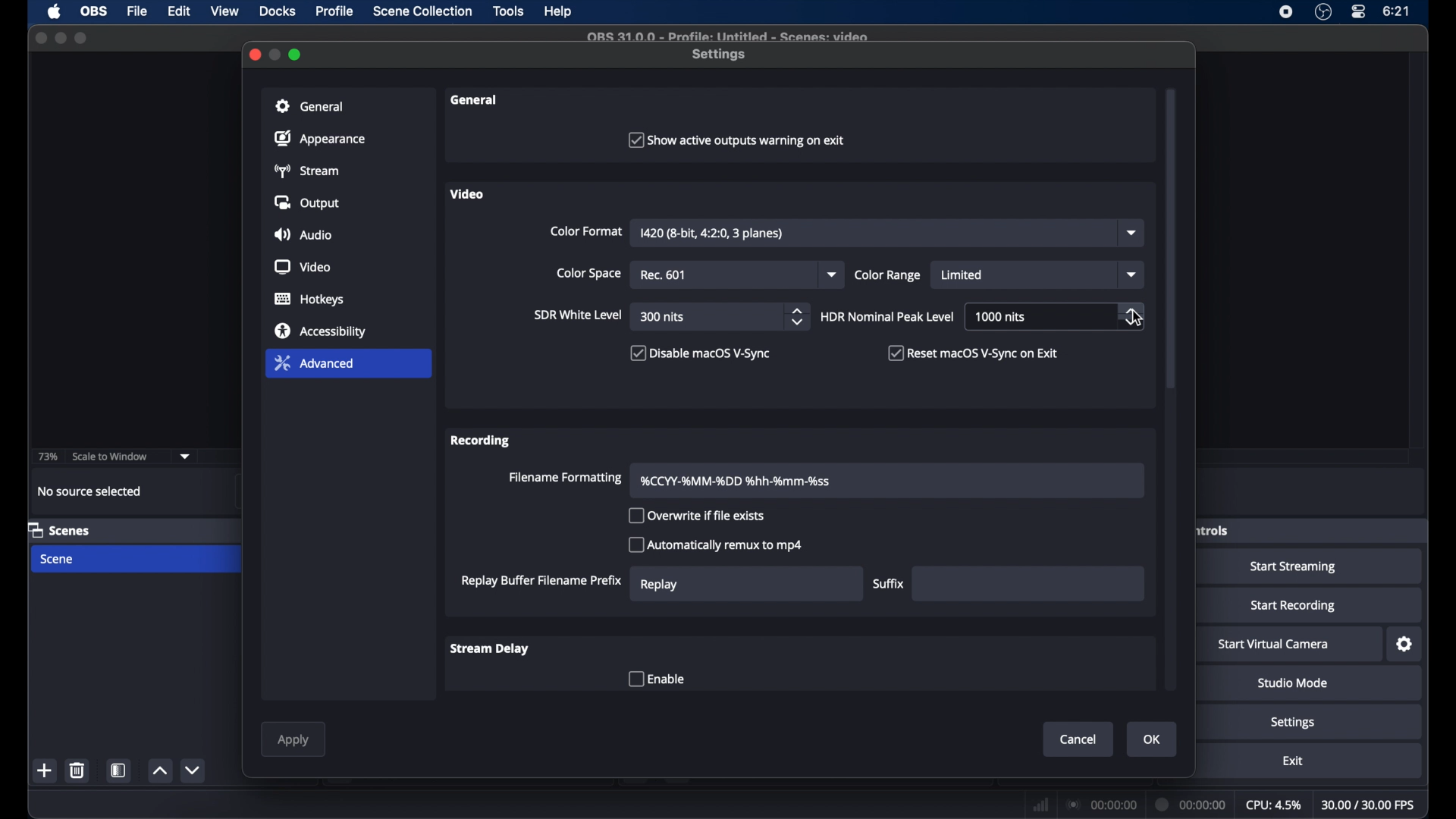 The width and height of the screenshot is (1456, 819). Describe the element at coordinates (1038, 804) in the screenshot. I see `network` at that location.